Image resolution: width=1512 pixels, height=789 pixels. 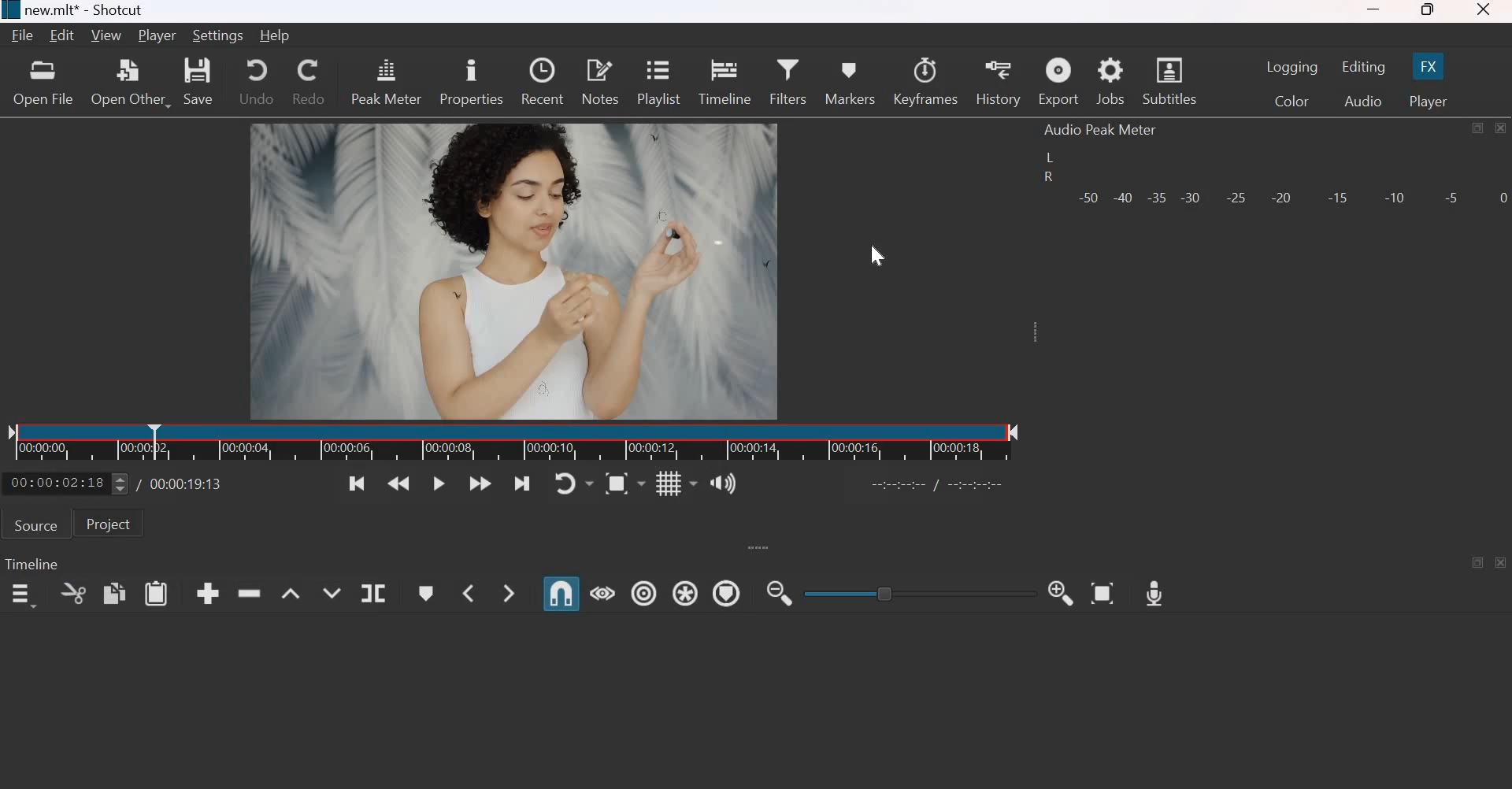 What do you see at coordinates (465, 592) in the screenshot?
I see `Previous Marker` at bounding box center [465, 592].